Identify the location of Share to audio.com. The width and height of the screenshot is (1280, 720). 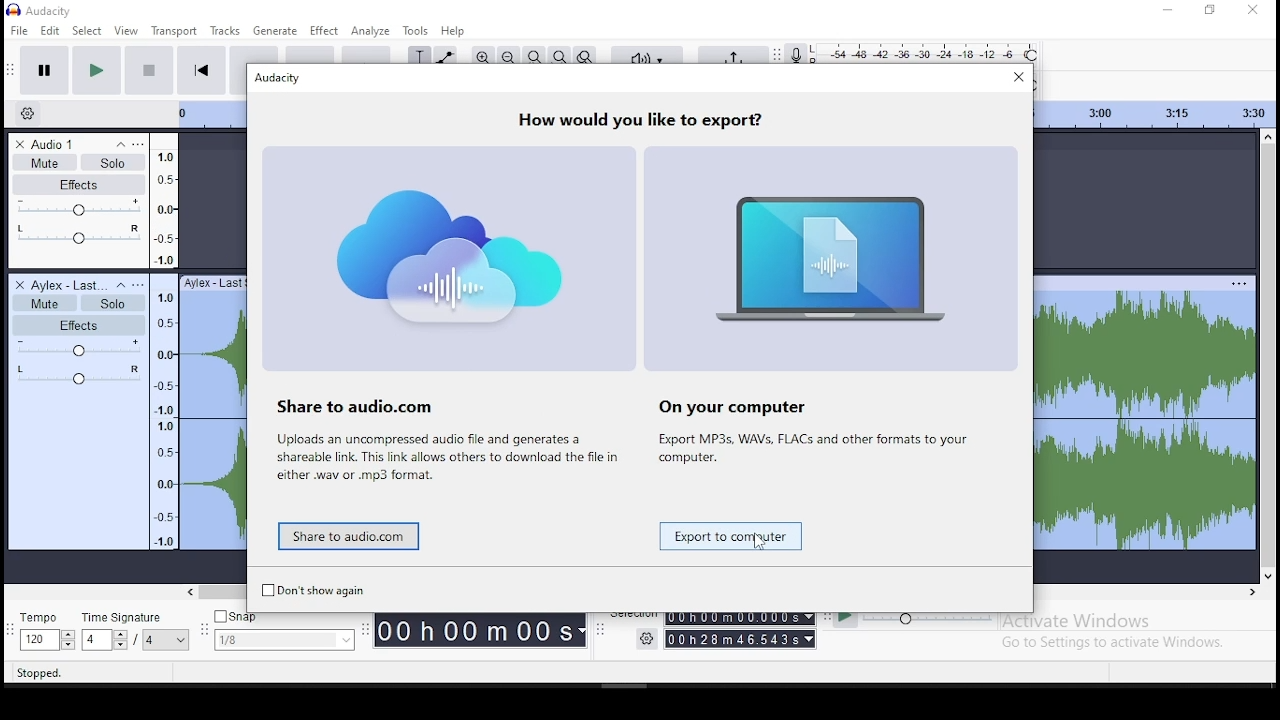
(351, 406).